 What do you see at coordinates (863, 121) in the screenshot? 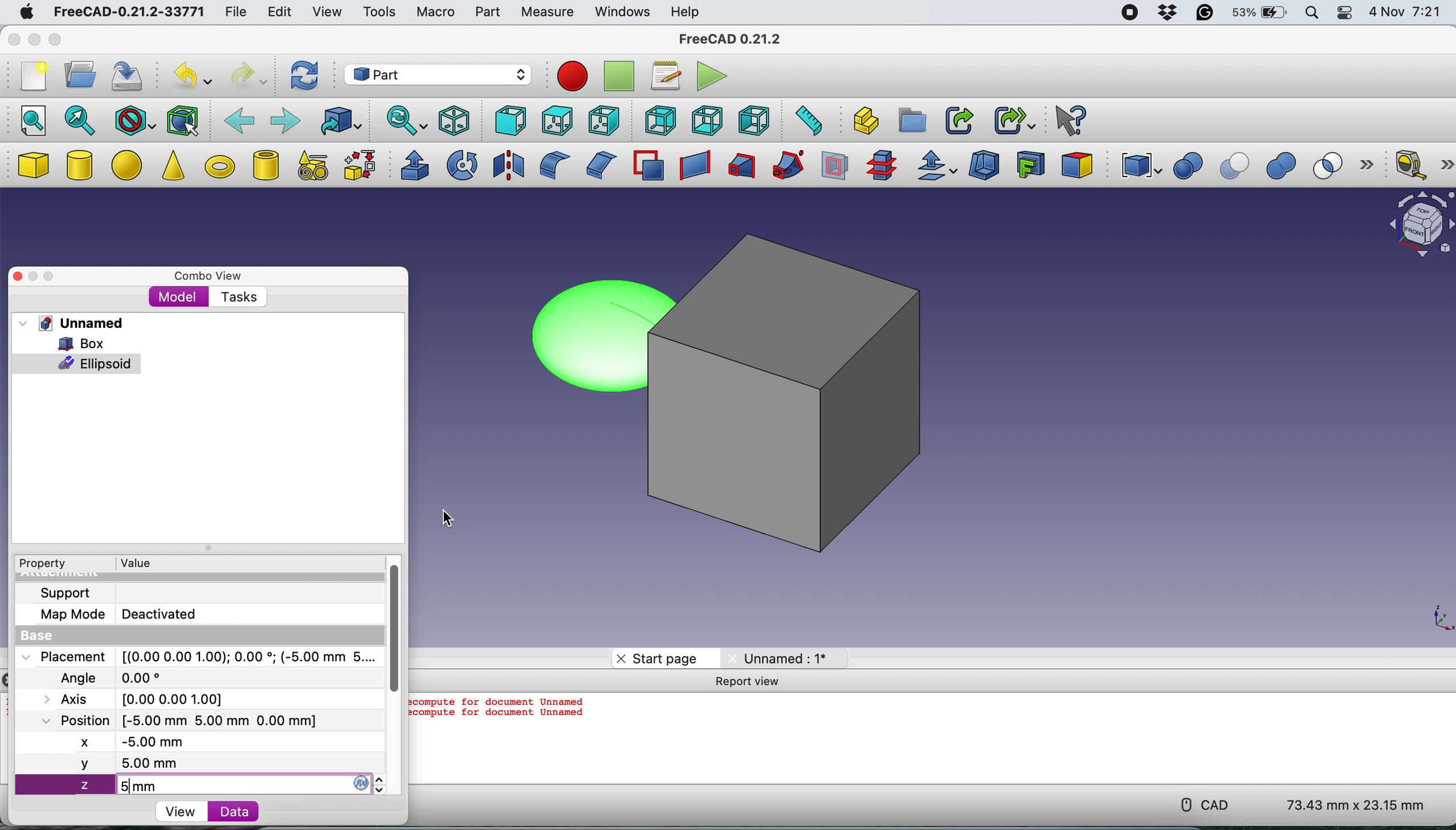
I see `create part` at bounding box center [863, 121].